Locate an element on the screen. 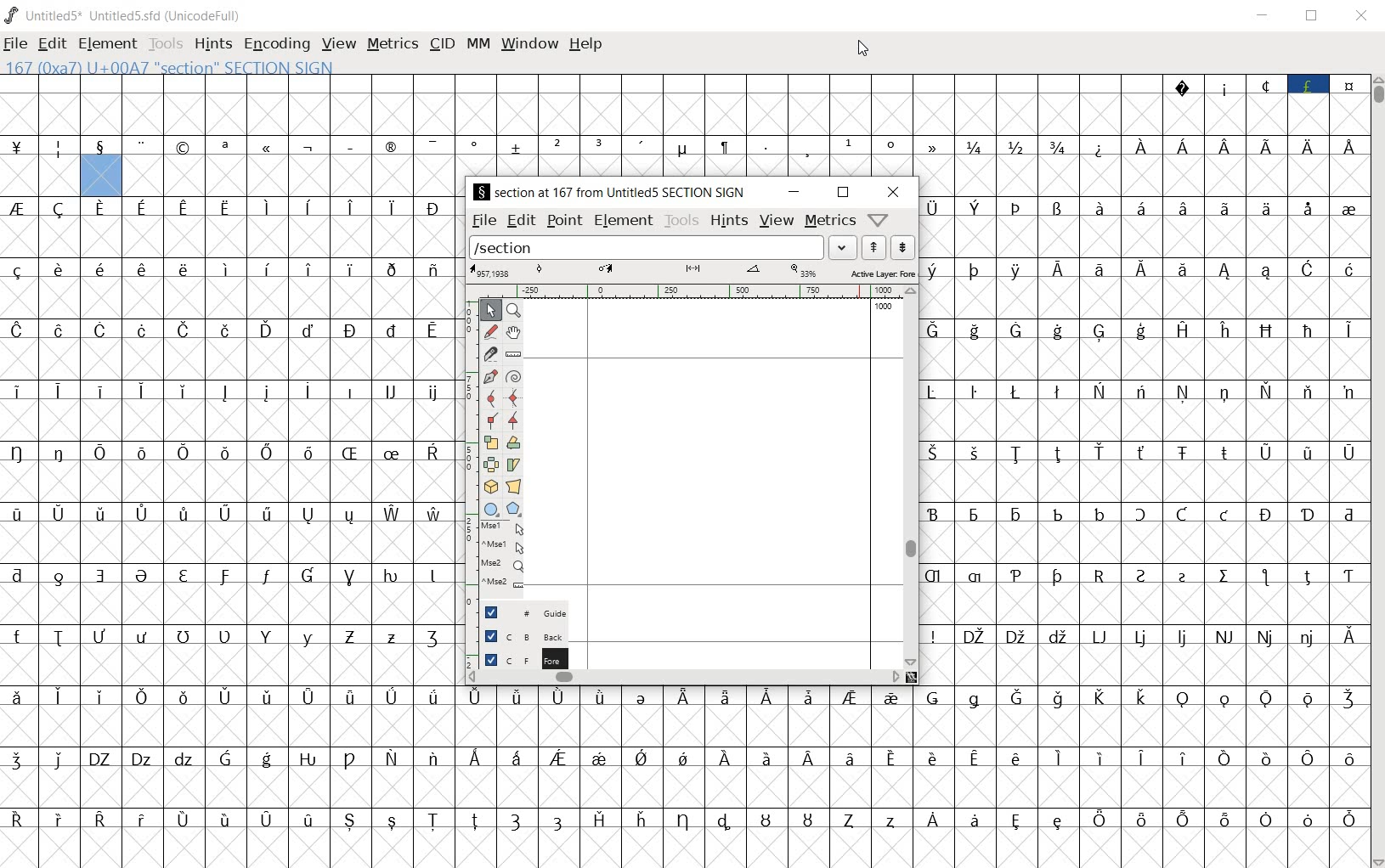 The image size is (1385, 868). empty cells is located at coordinates (1143, 665).